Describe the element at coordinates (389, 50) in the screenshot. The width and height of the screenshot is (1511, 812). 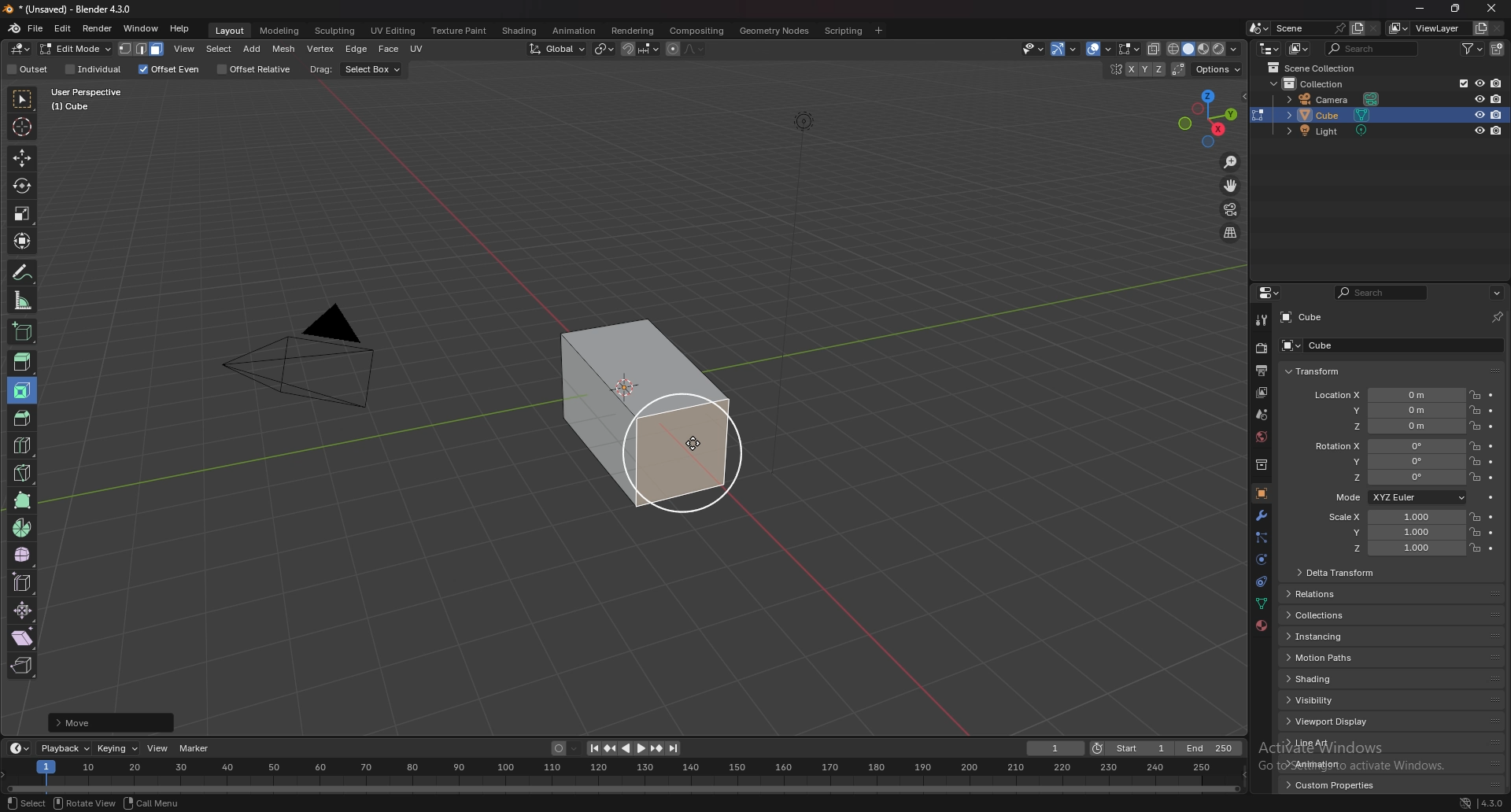
I see `face` at that location.